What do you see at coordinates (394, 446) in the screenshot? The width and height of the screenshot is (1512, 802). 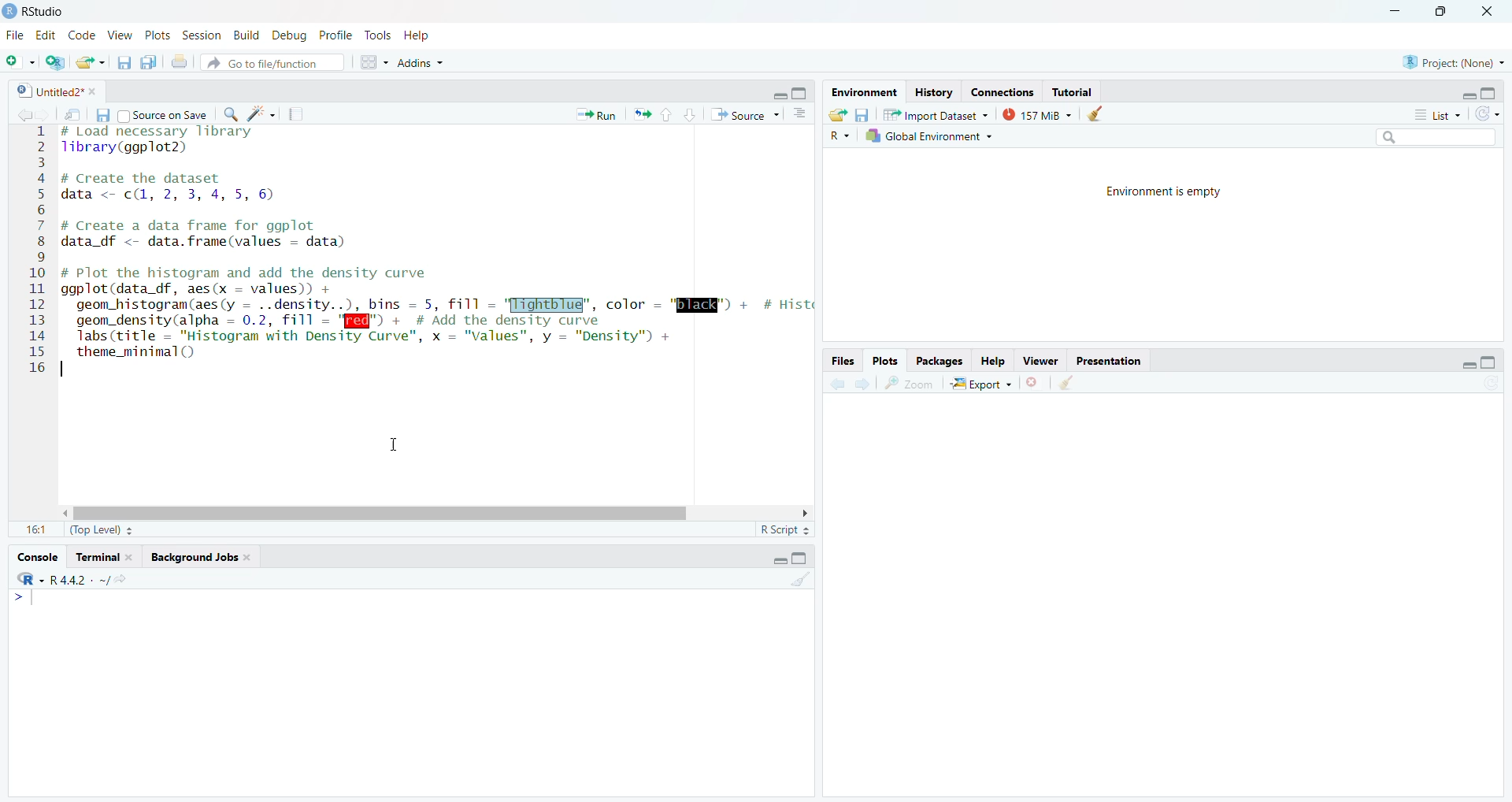 I see `cursor` at bounding box center [394, 446].